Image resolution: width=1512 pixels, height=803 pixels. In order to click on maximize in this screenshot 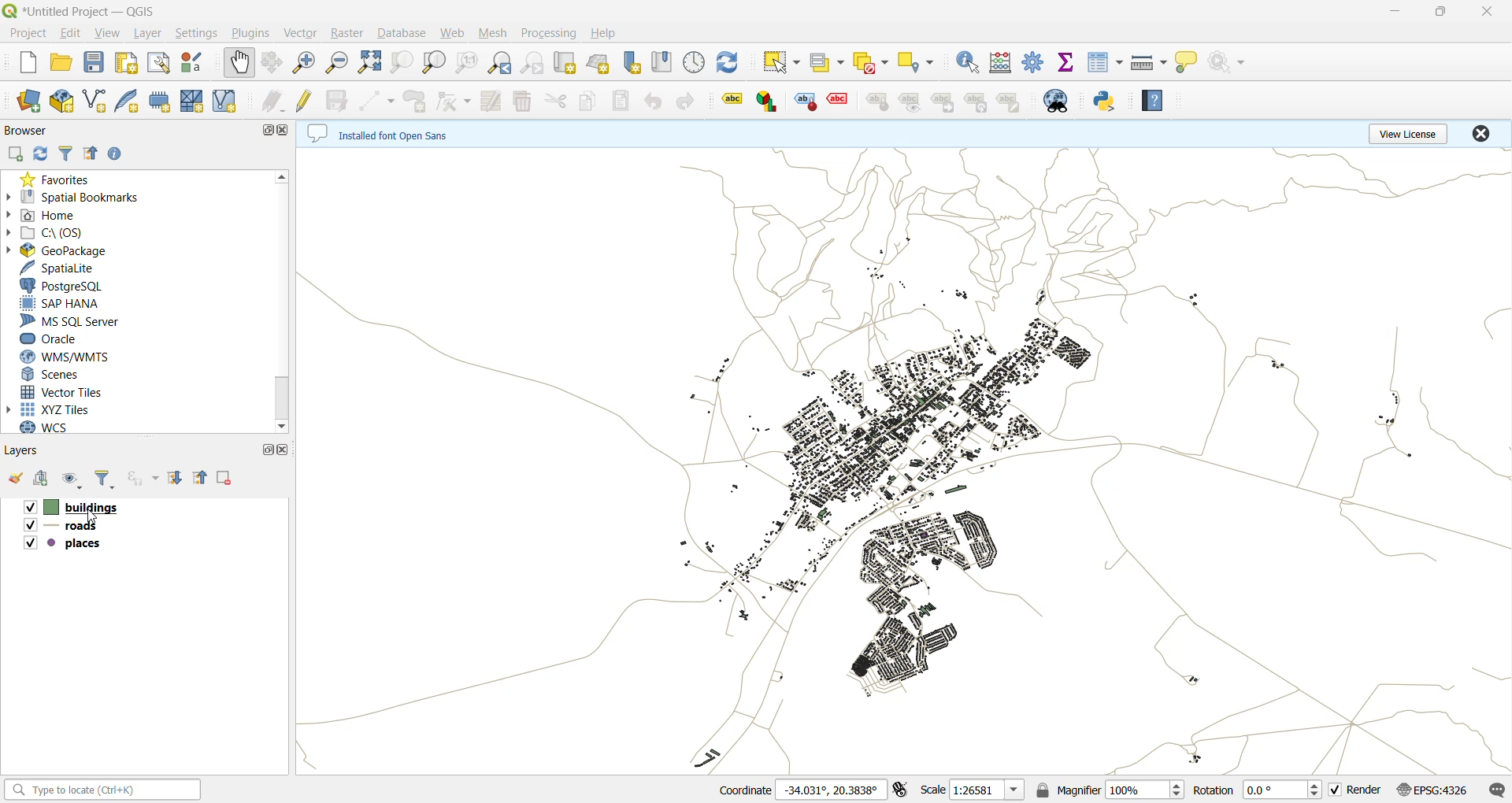, I will do `click(269, 450)`.